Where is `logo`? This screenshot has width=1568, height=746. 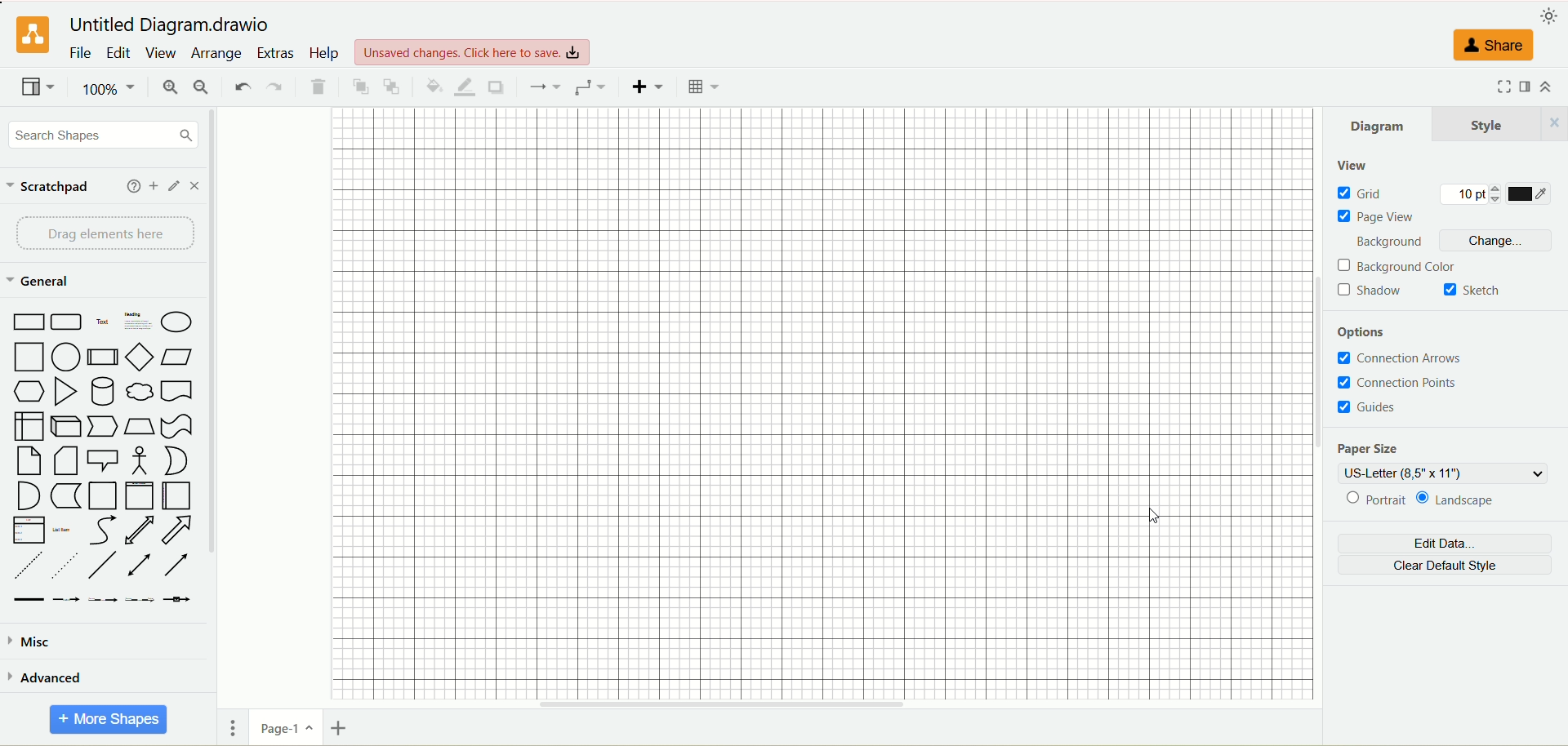
logo is located at coordinates (32, 34).